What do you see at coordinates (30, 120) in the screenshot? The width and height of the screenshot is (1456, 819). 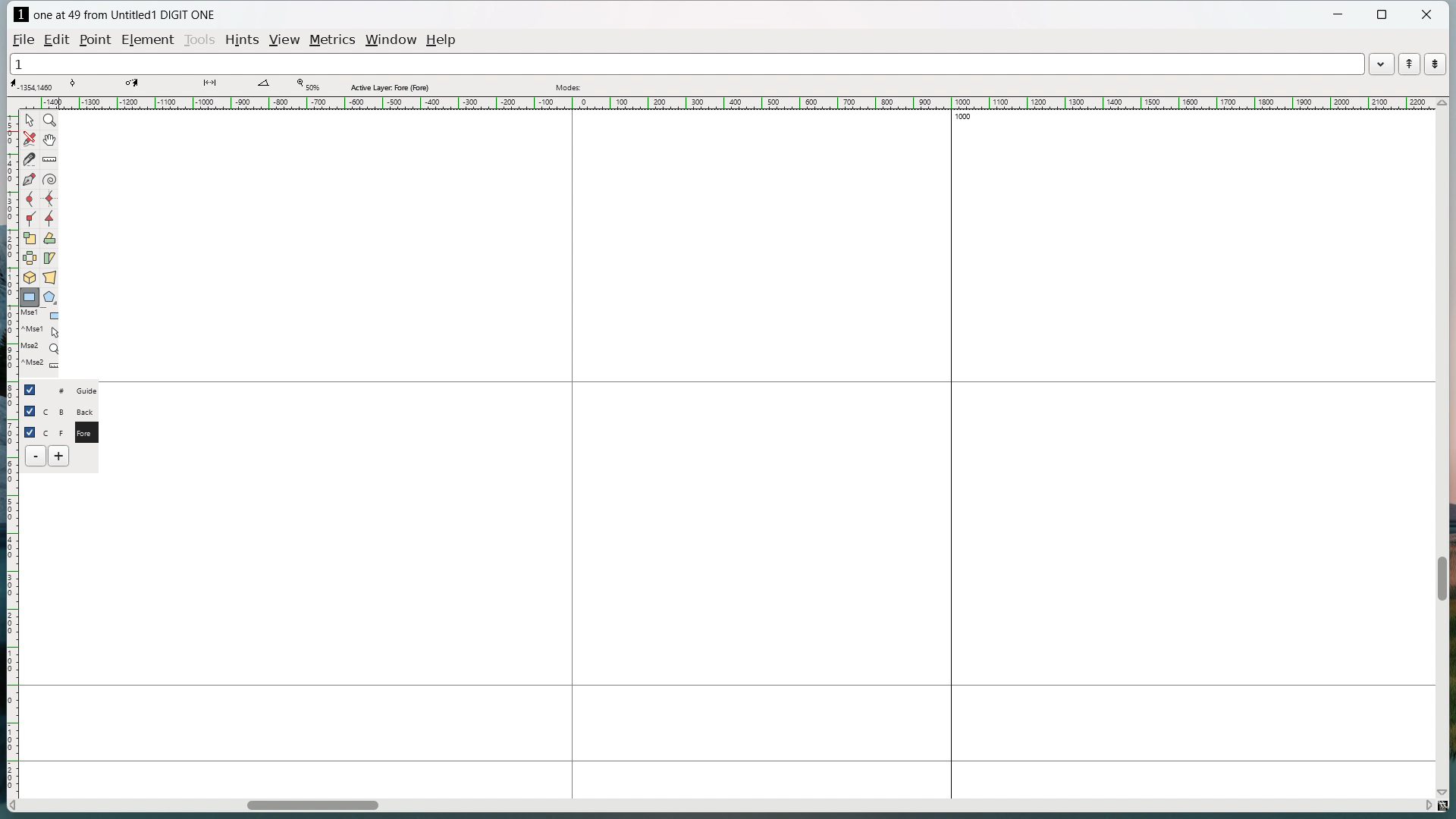 I see `pointer` at bounding box center [30, 120].